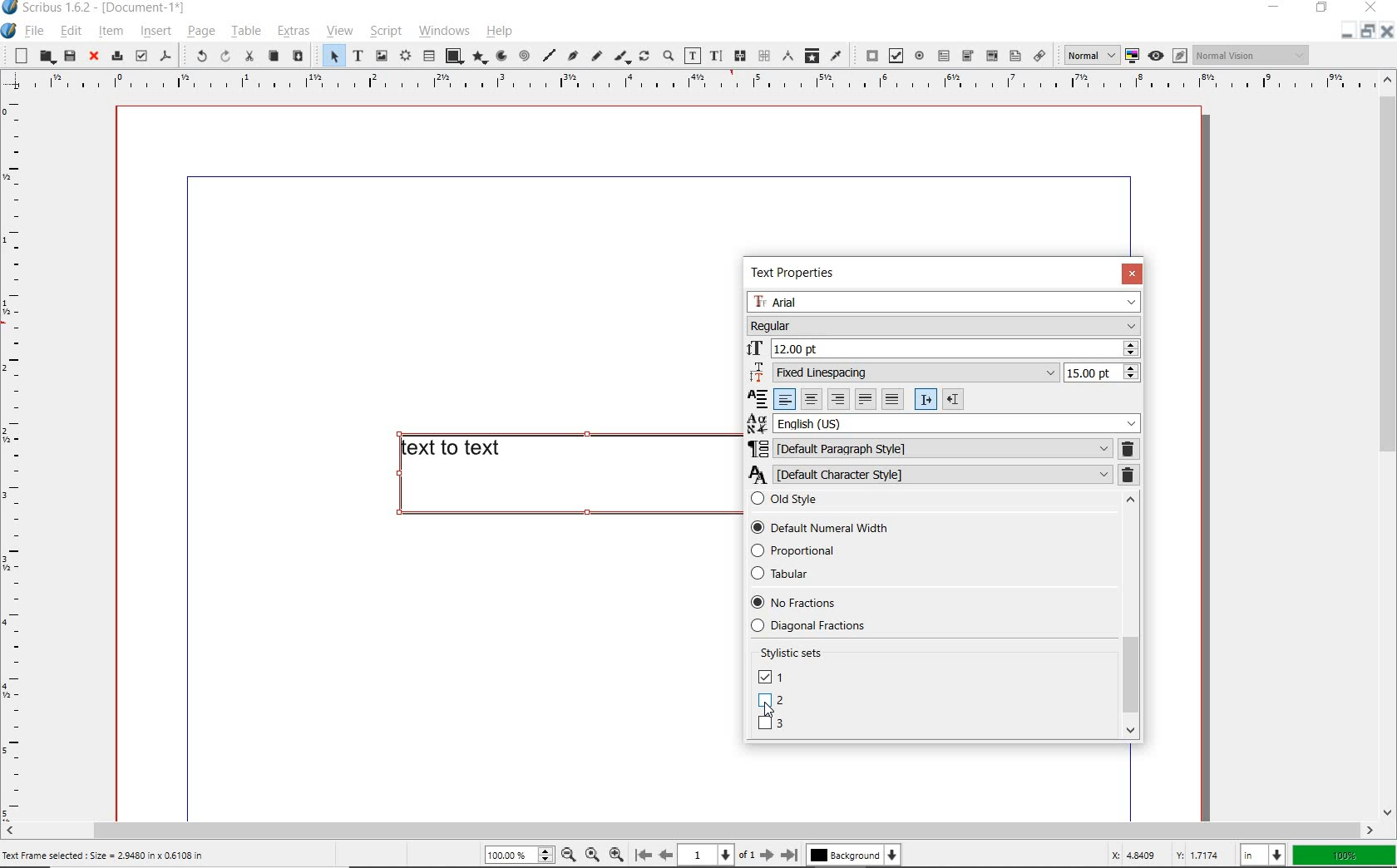  I want to click on new, so click(17, 55).